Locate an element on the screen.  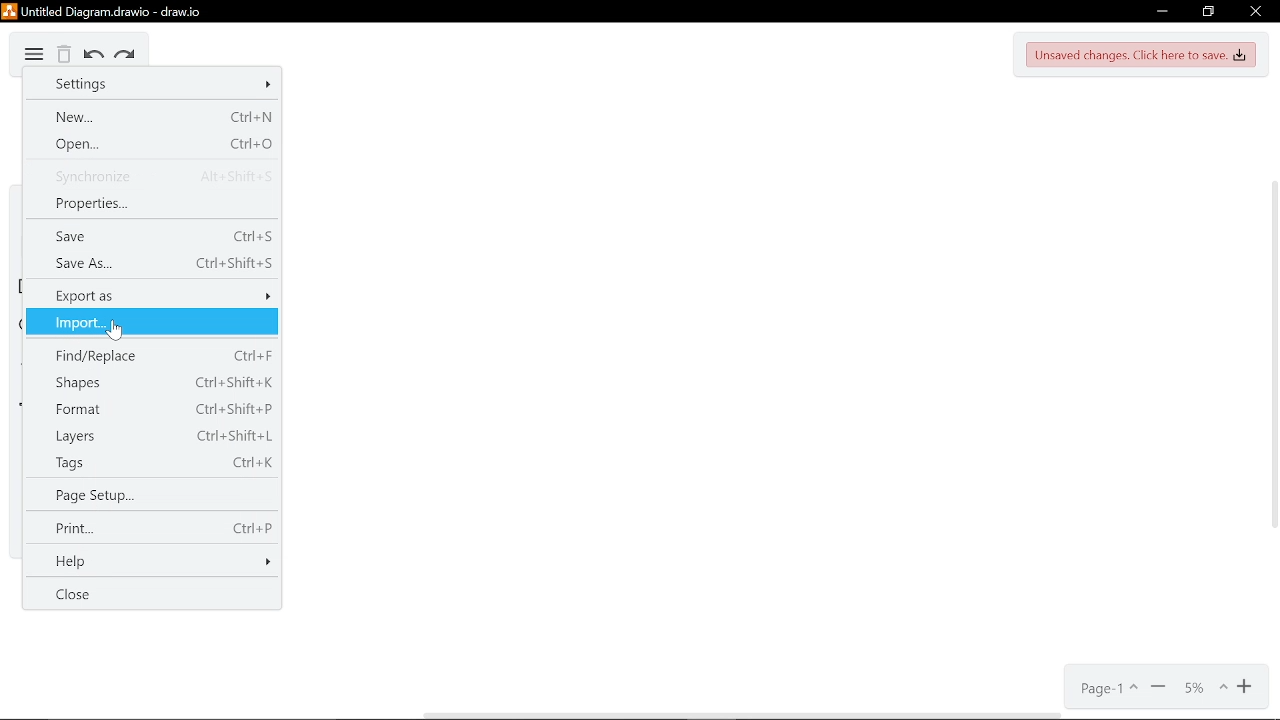
Redo is located at coordinates (126, 55).